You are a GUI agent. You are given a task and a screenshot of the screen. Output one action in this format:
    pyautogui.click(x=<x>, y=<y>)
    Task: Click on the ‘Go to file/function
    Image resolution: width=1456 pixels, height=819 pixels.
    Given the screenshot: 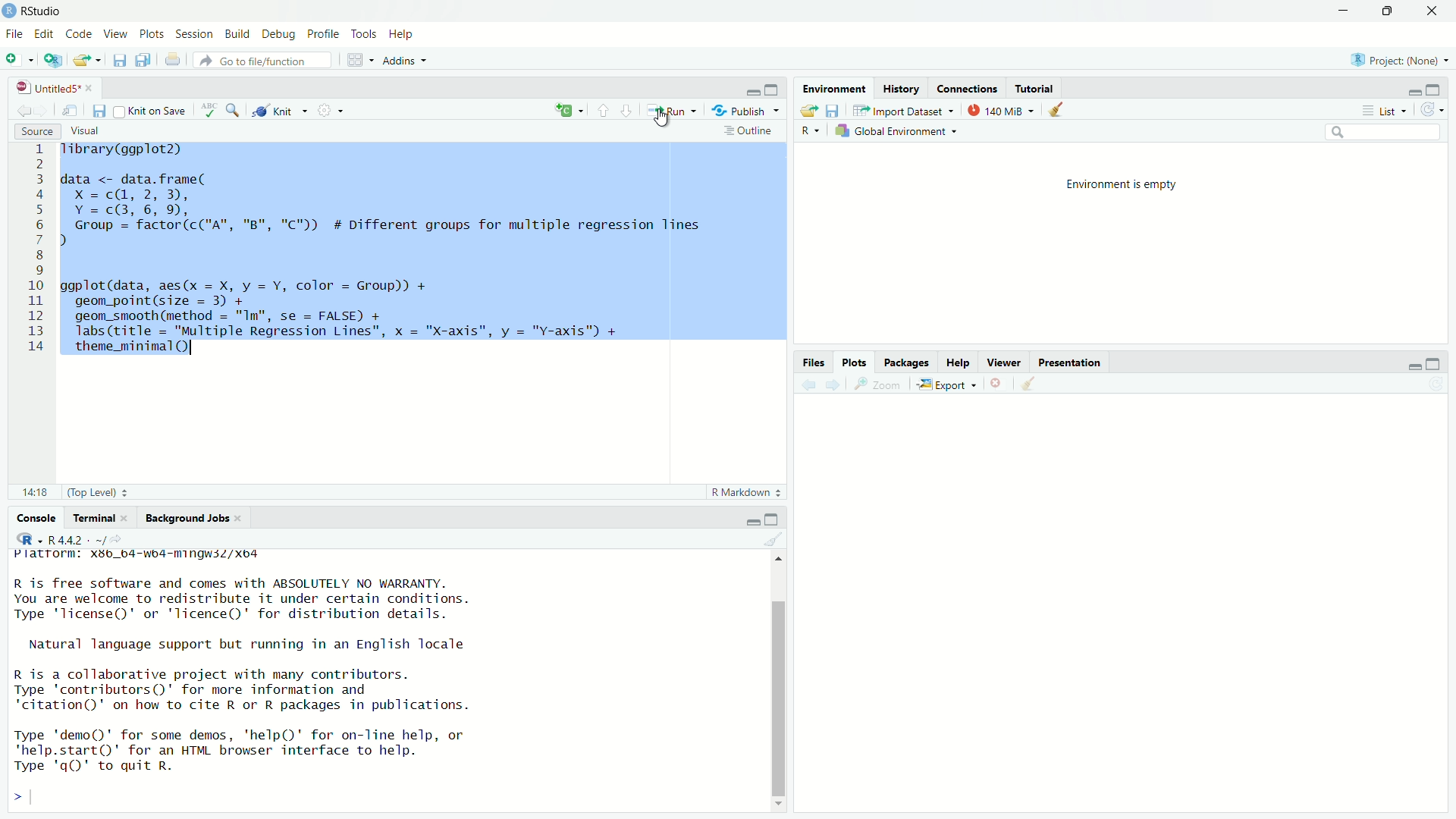 What is the action you would take?
    pyautogui.click(x=259, y=61)
    